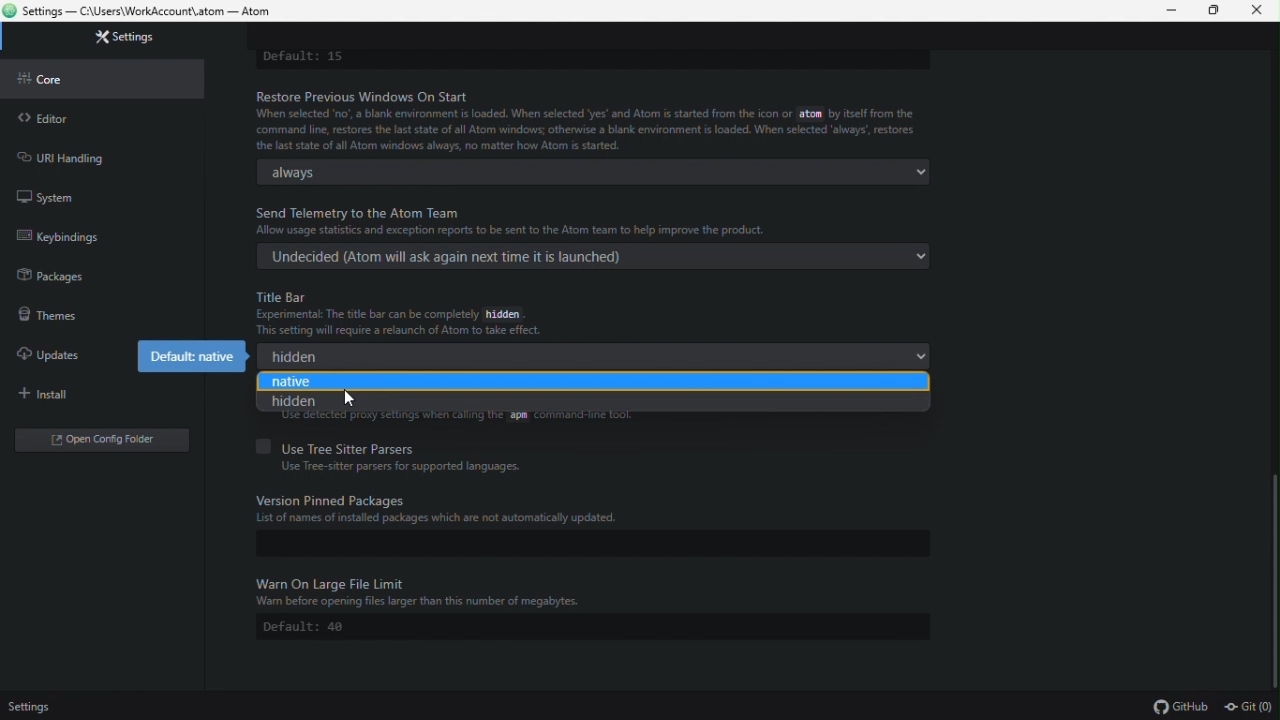 The height and width of the screenshot is (720, 1280). Describe the element at coordinates (108, 444) in the screenshot. I see `Open config editor` at that location.